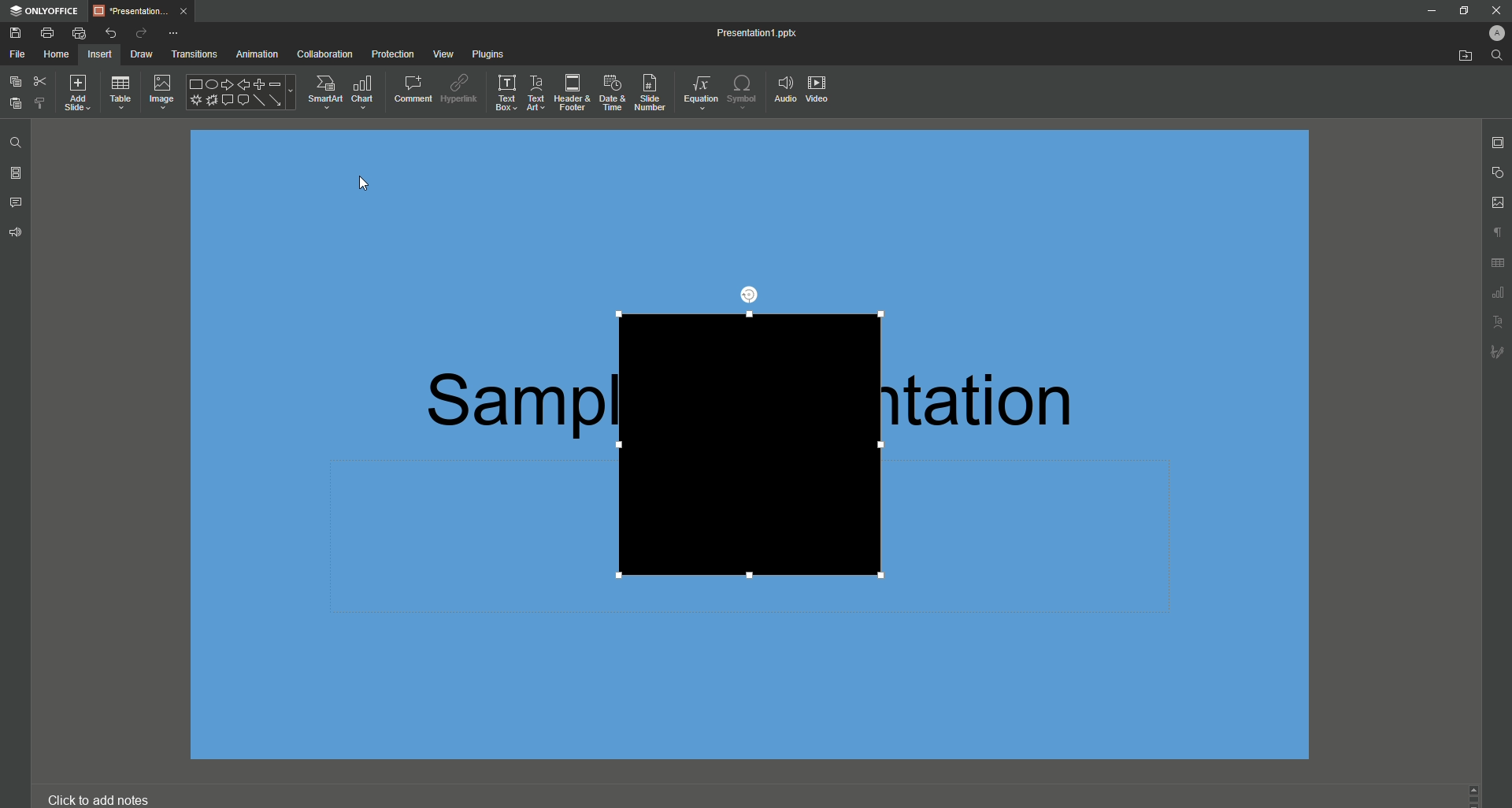 The width and height of the screenshot is (1512, 808). What do you see at coordinates (1497, 294) in the screenshot?
I see `Chart Settings` at bounding box center [1497, 294].